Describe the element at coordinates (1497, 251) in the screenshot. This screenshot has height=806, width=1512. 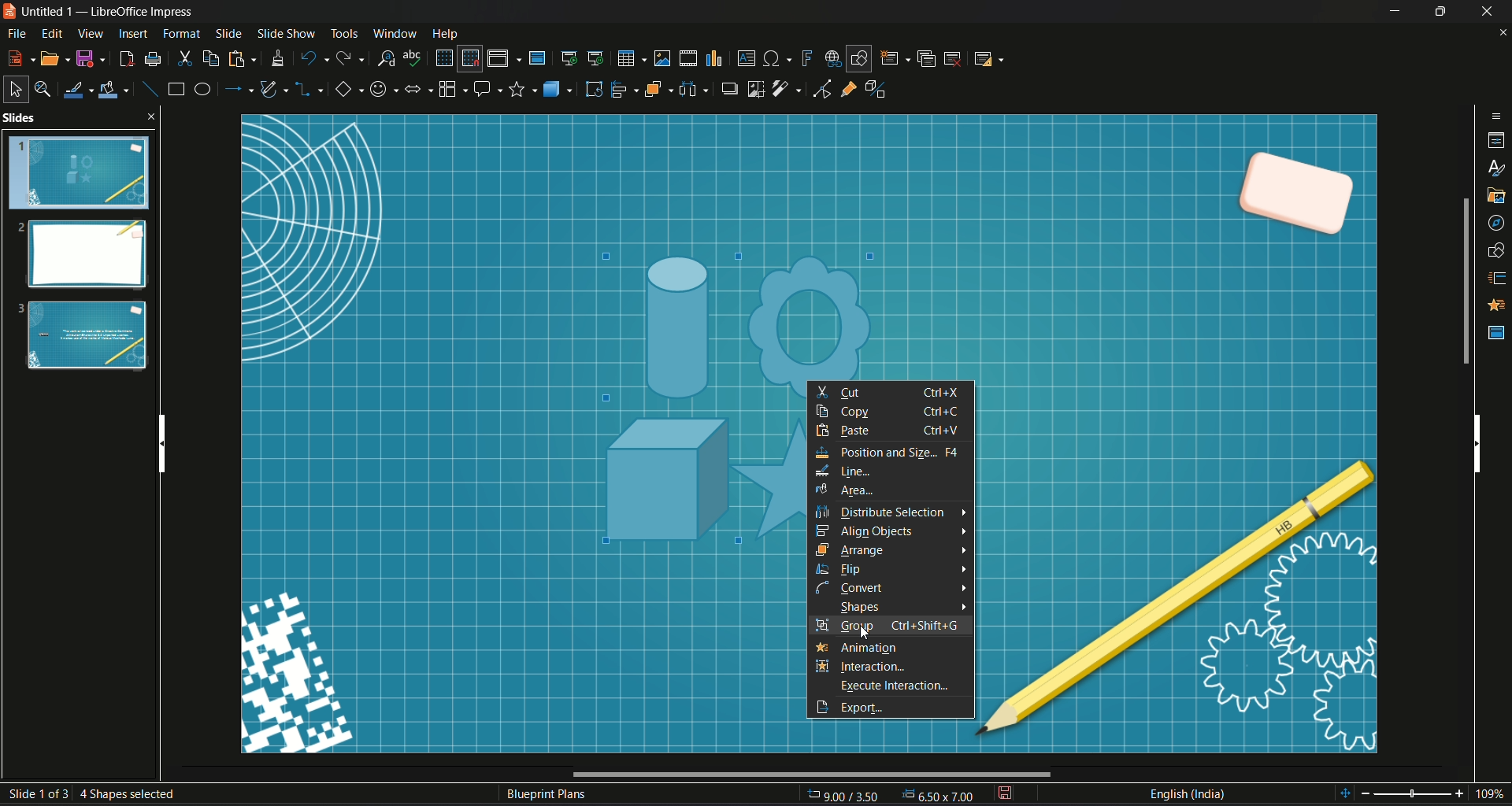
I see `shapes` at that location.